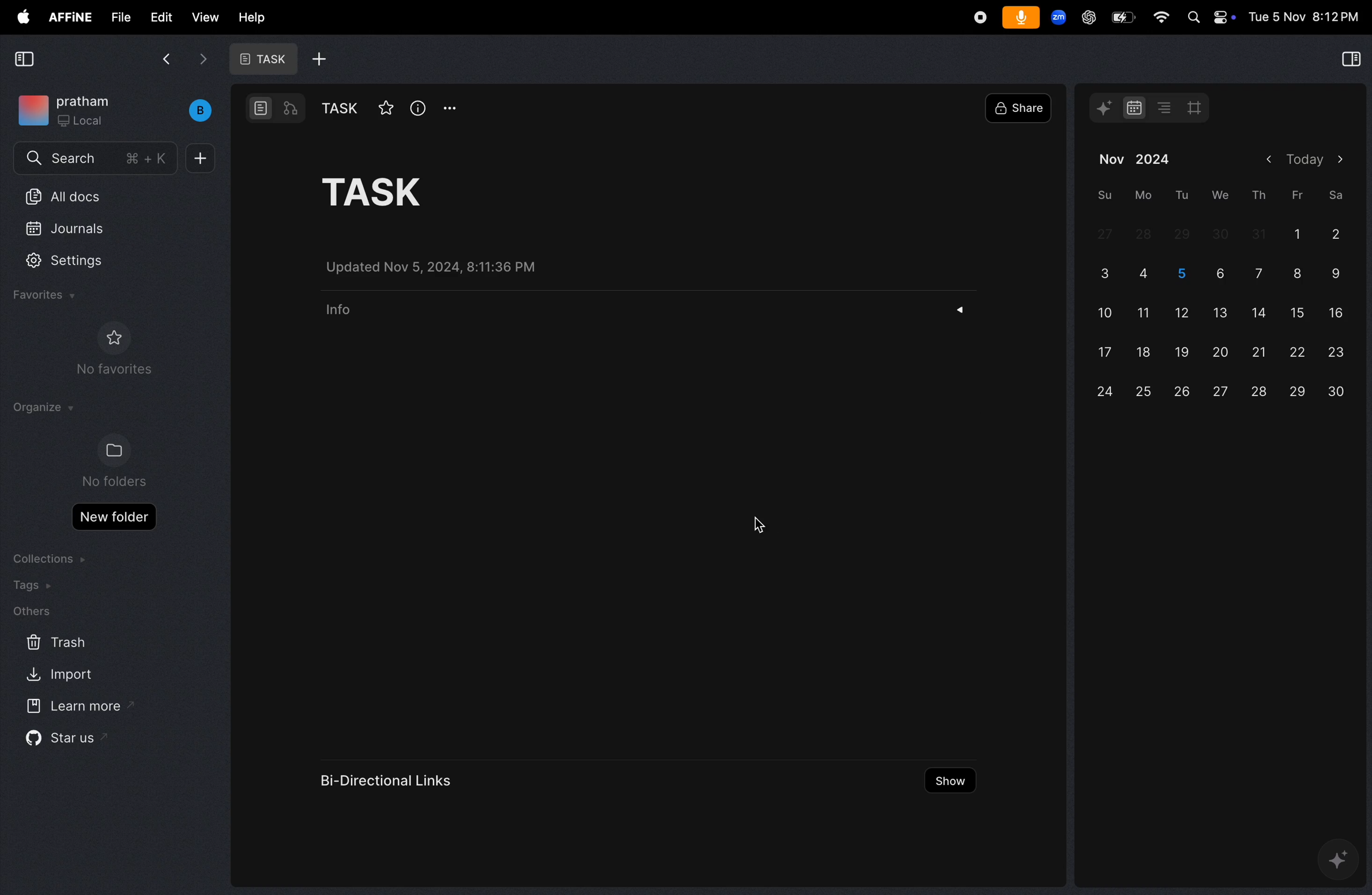 This screenshot has height=895, width=1372. What do you see at coordinates (69, 17) in the screenshot?
I see `affine menu` at bounding box center [69, 17].